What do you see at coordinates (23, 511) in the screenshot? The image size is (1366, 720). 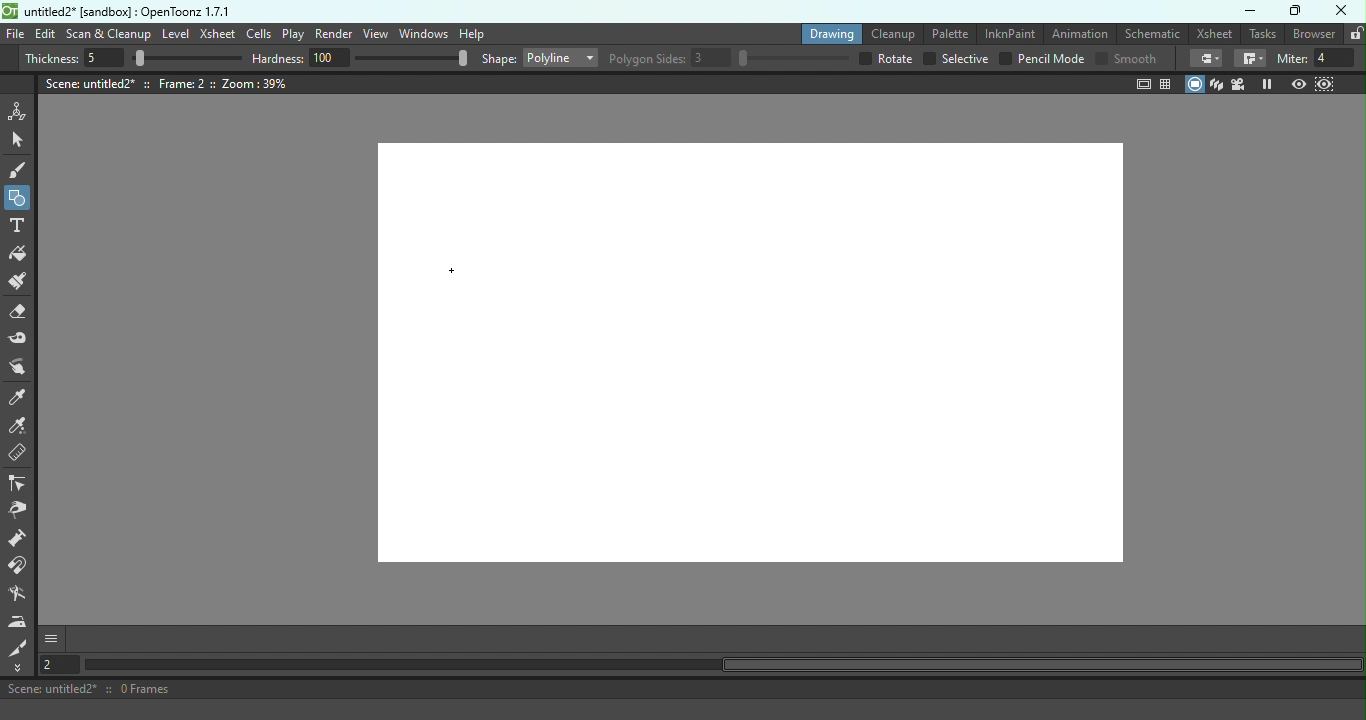 I see `Pinch tool` at bounding box center [23, 511].